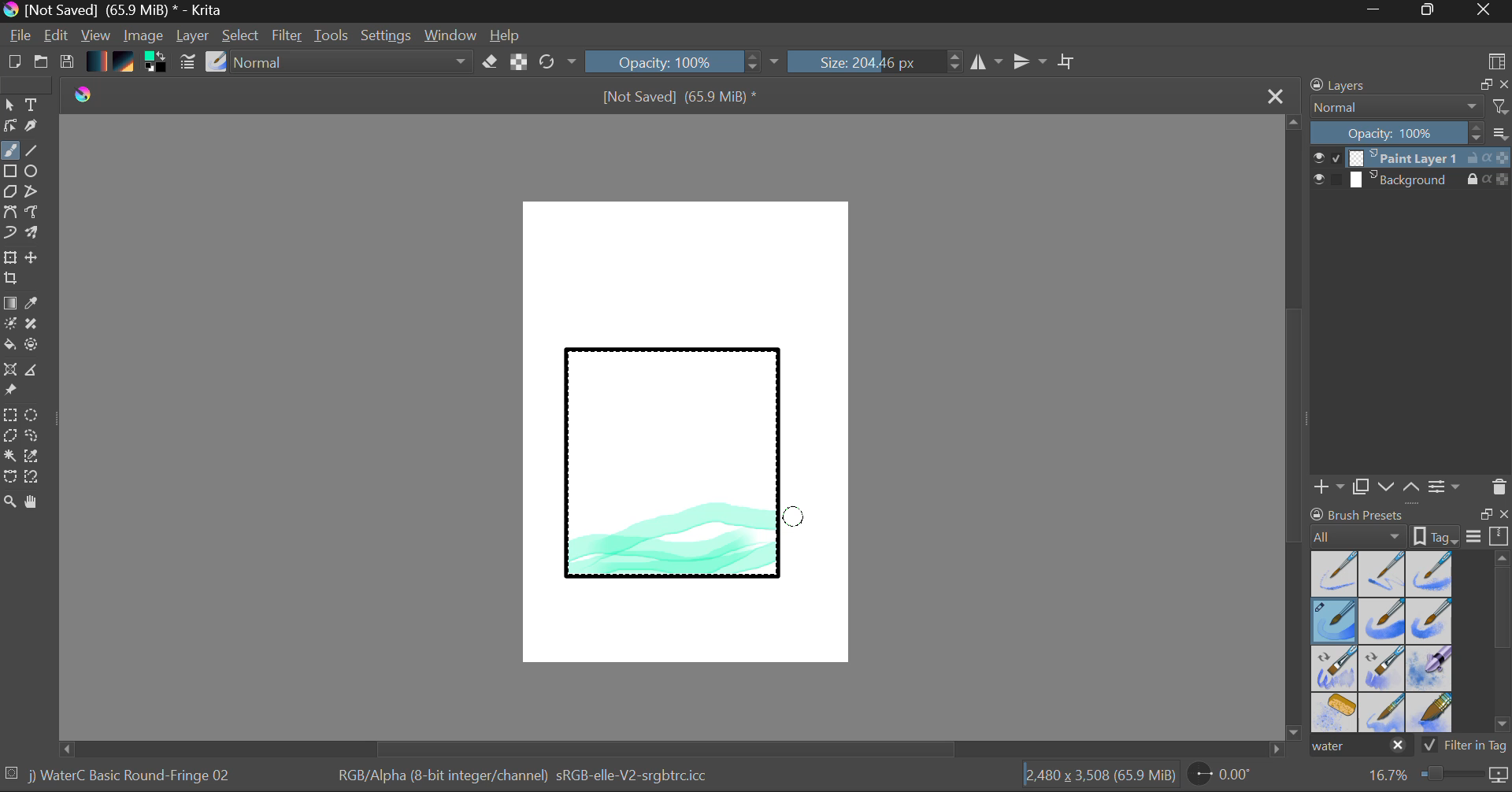 The image size is (1512, 792). Describe the element at coordinates (387, 35) in the screenshot. I see `Settings` at that location.